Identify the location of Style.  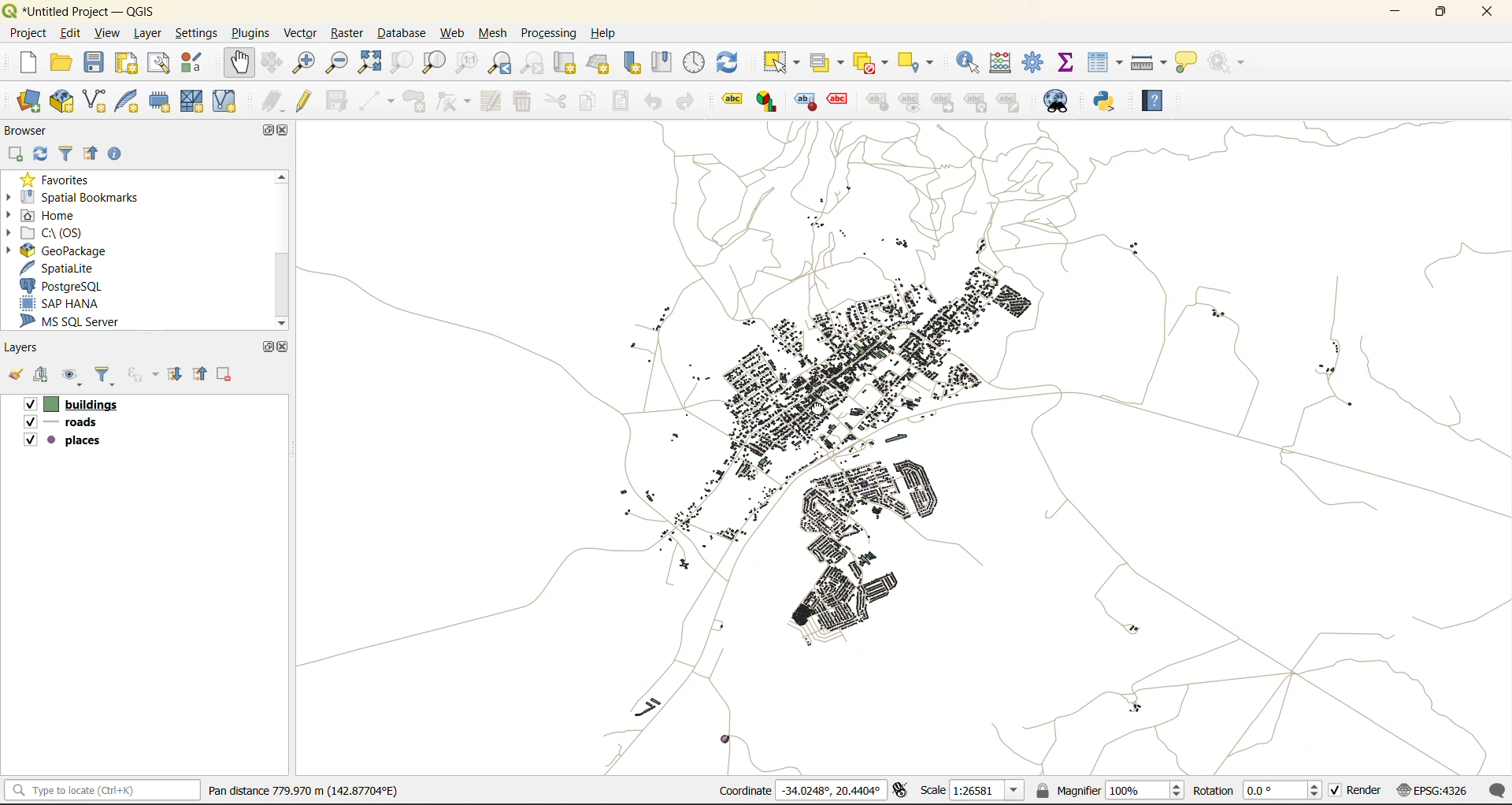
(805, 101).